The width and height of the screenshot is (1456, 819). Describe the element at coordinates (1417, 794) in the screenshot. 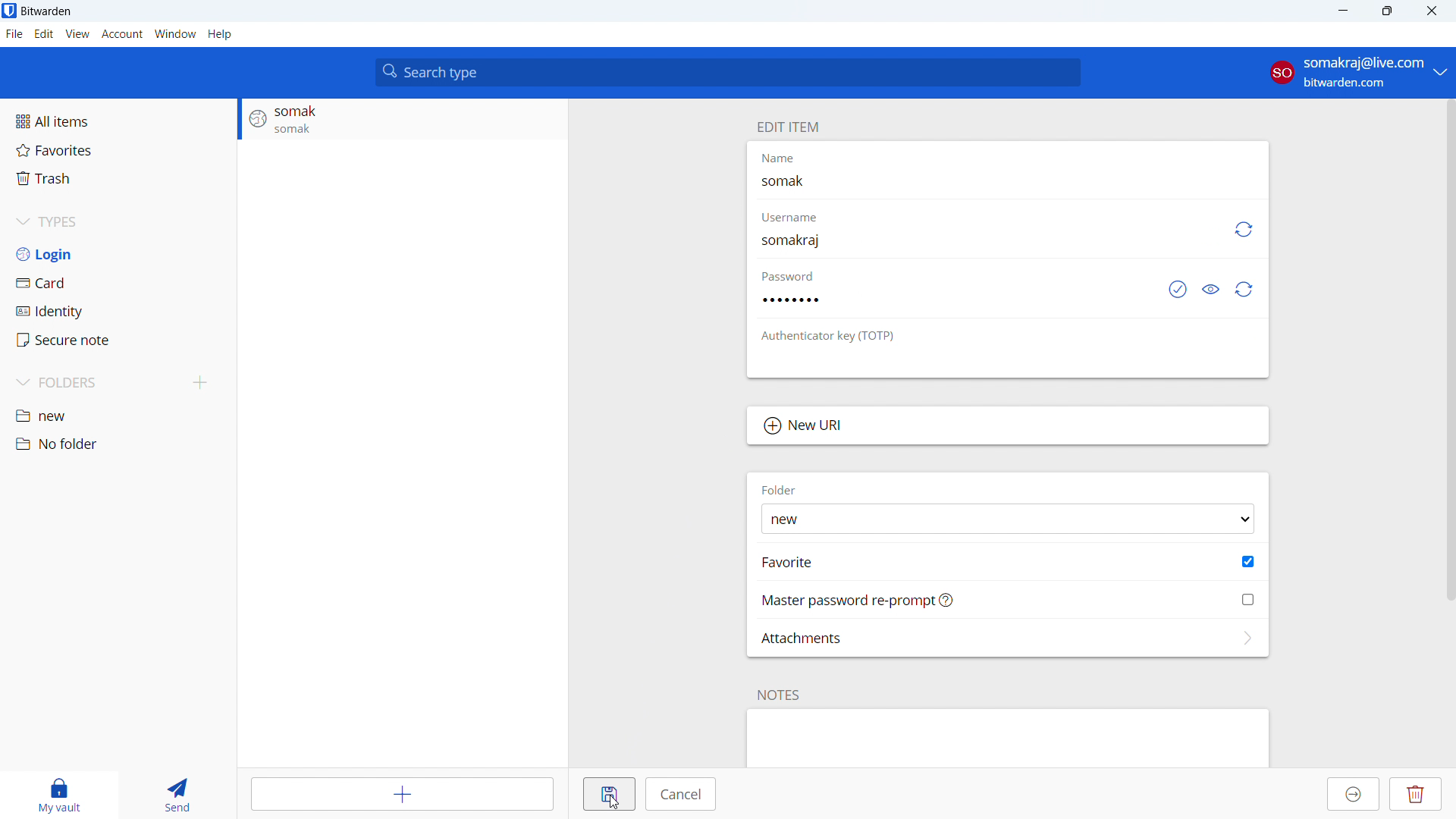

I see `delete entry` at that location.